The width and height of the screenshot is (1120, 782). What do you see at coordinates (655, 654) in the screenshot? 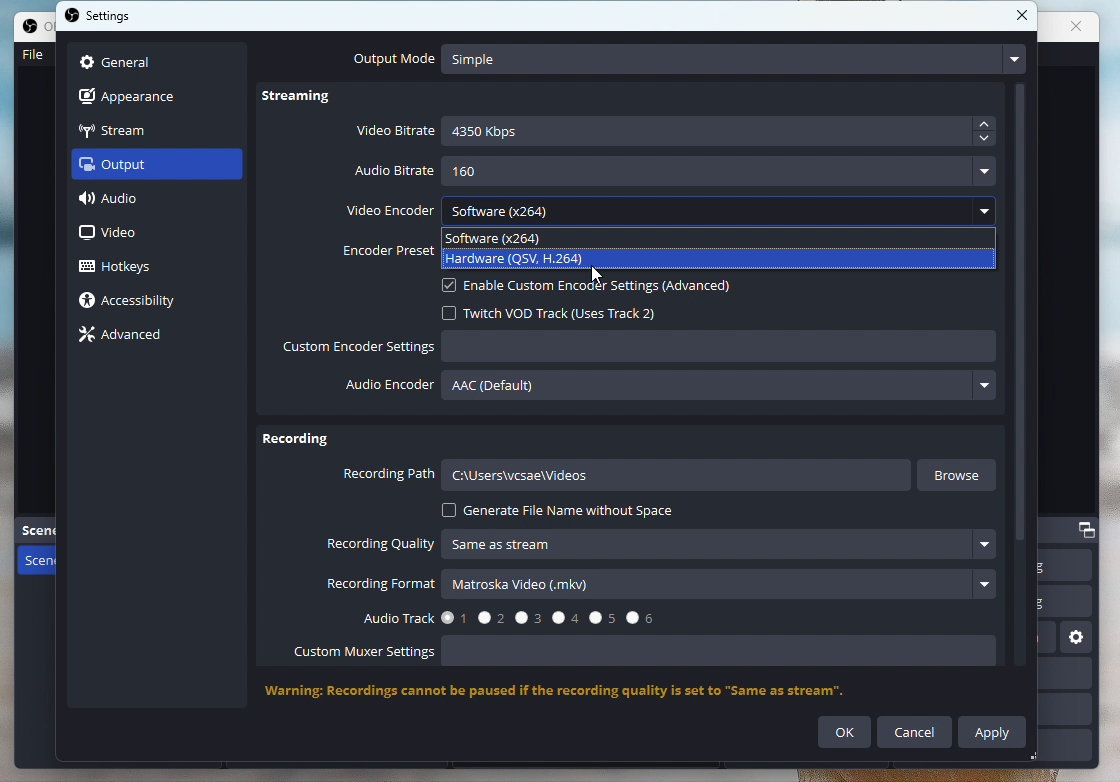
I see `Custom Muxer Settings` at bounding box center [655, 654].